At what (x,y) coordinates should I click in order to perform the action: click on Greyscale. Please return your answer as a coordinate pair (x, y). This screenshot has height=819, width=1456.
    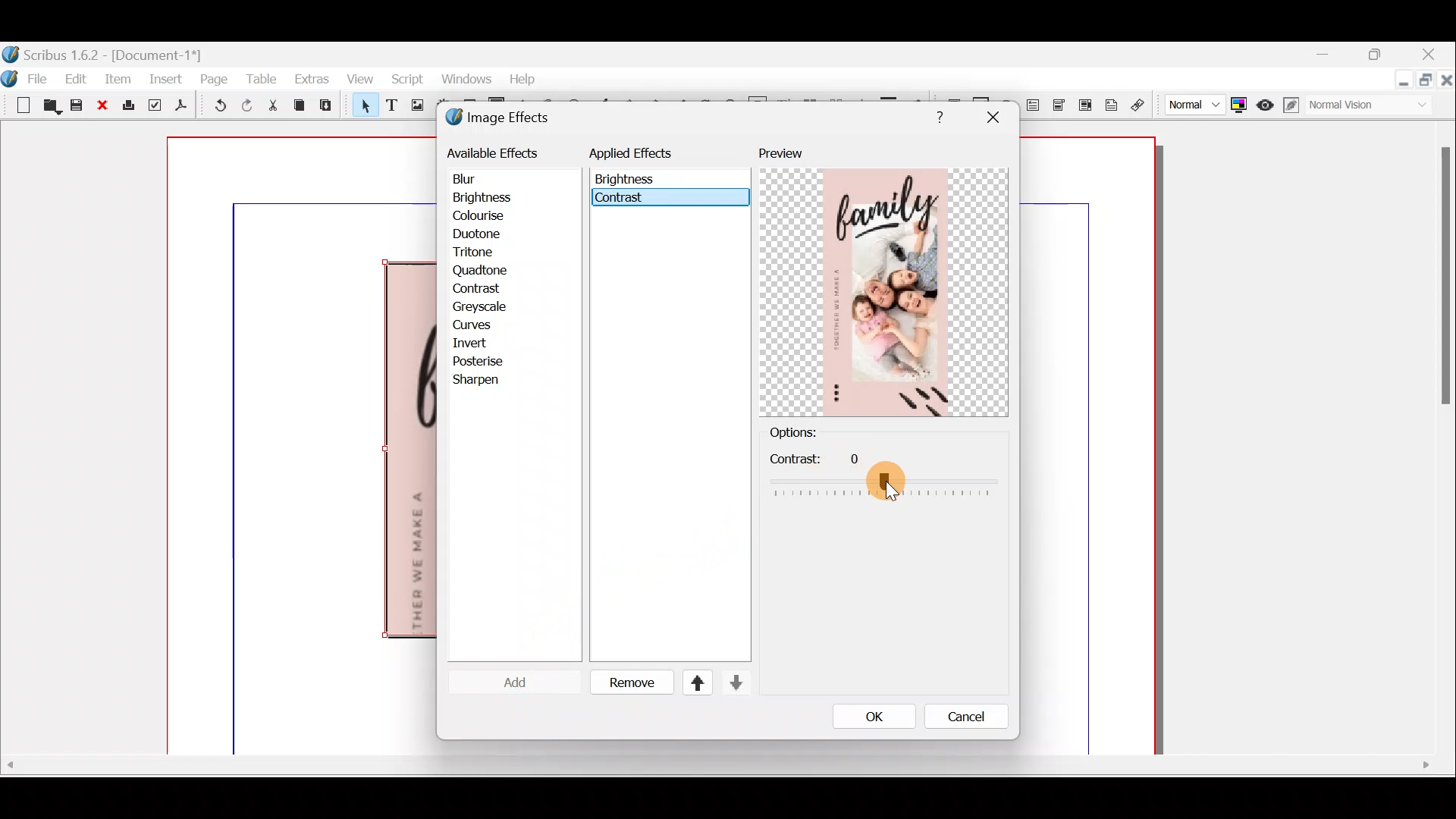
    Looking at the image, I should click on (485, 308).